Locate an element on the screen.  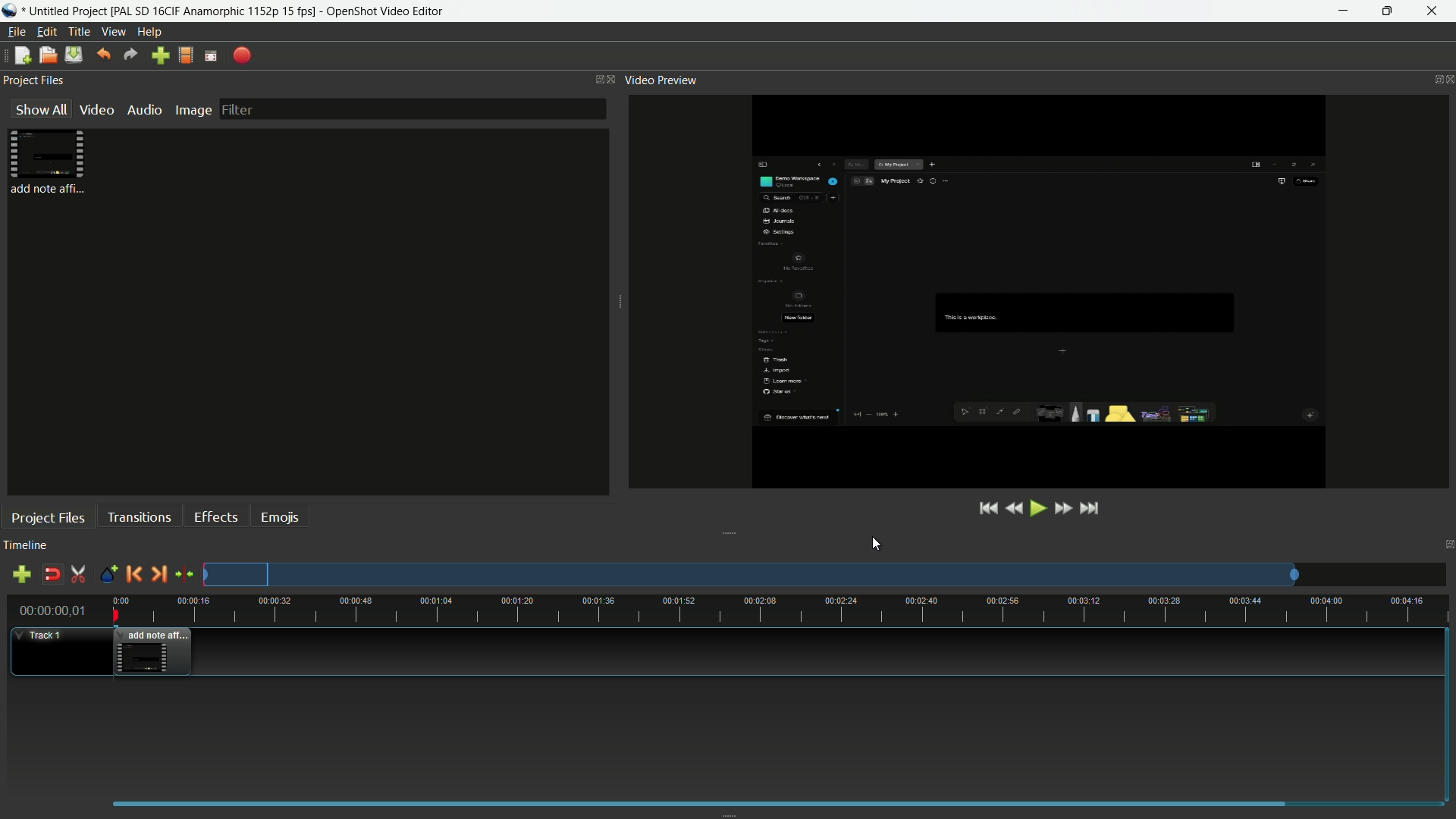
app name is located at coordinates (264, 11).